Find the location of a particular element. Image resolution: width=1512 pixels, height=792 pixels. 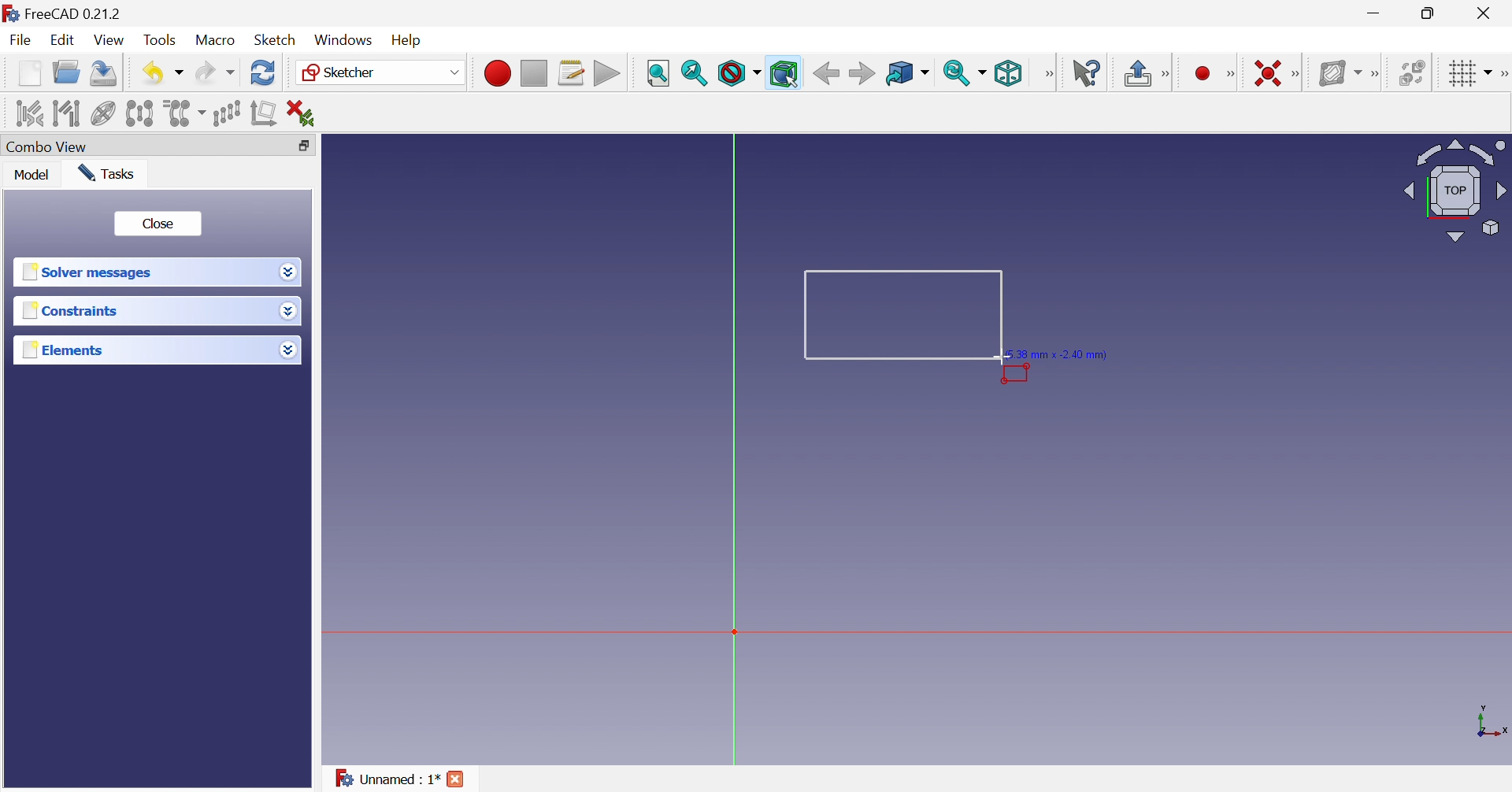

 is located at coordinates (406, 41).